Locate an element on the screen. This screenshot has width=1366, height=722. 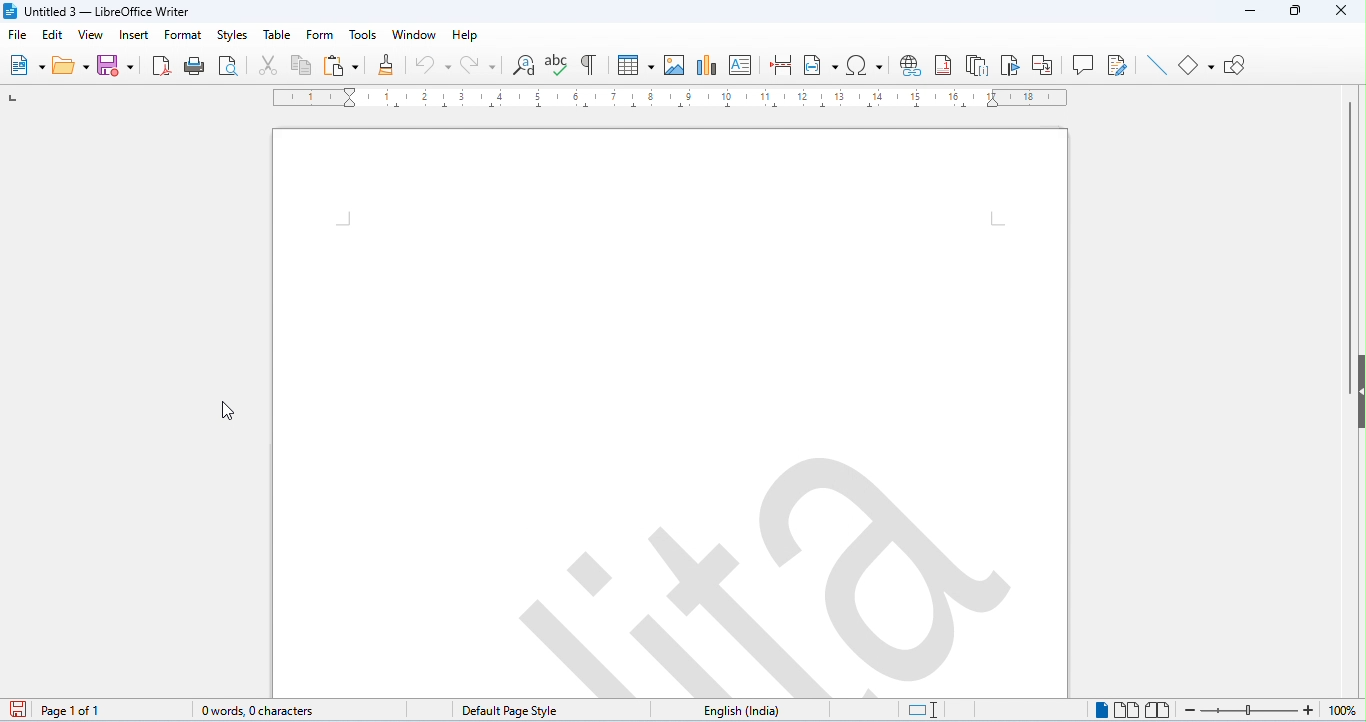
undo is located at coordinates (433, 64).